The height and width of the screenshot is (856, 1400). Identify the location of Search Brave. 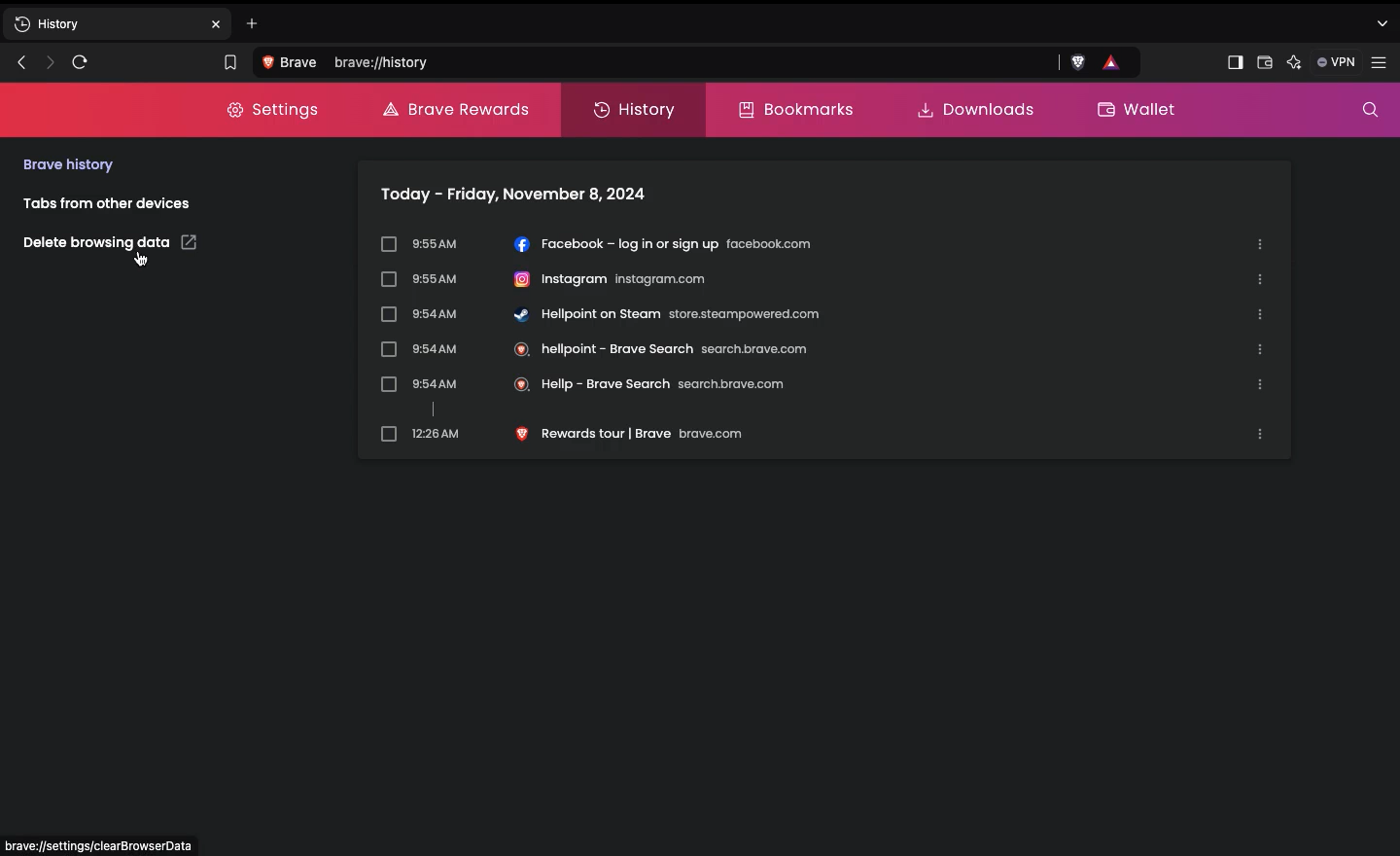
(652, 62).